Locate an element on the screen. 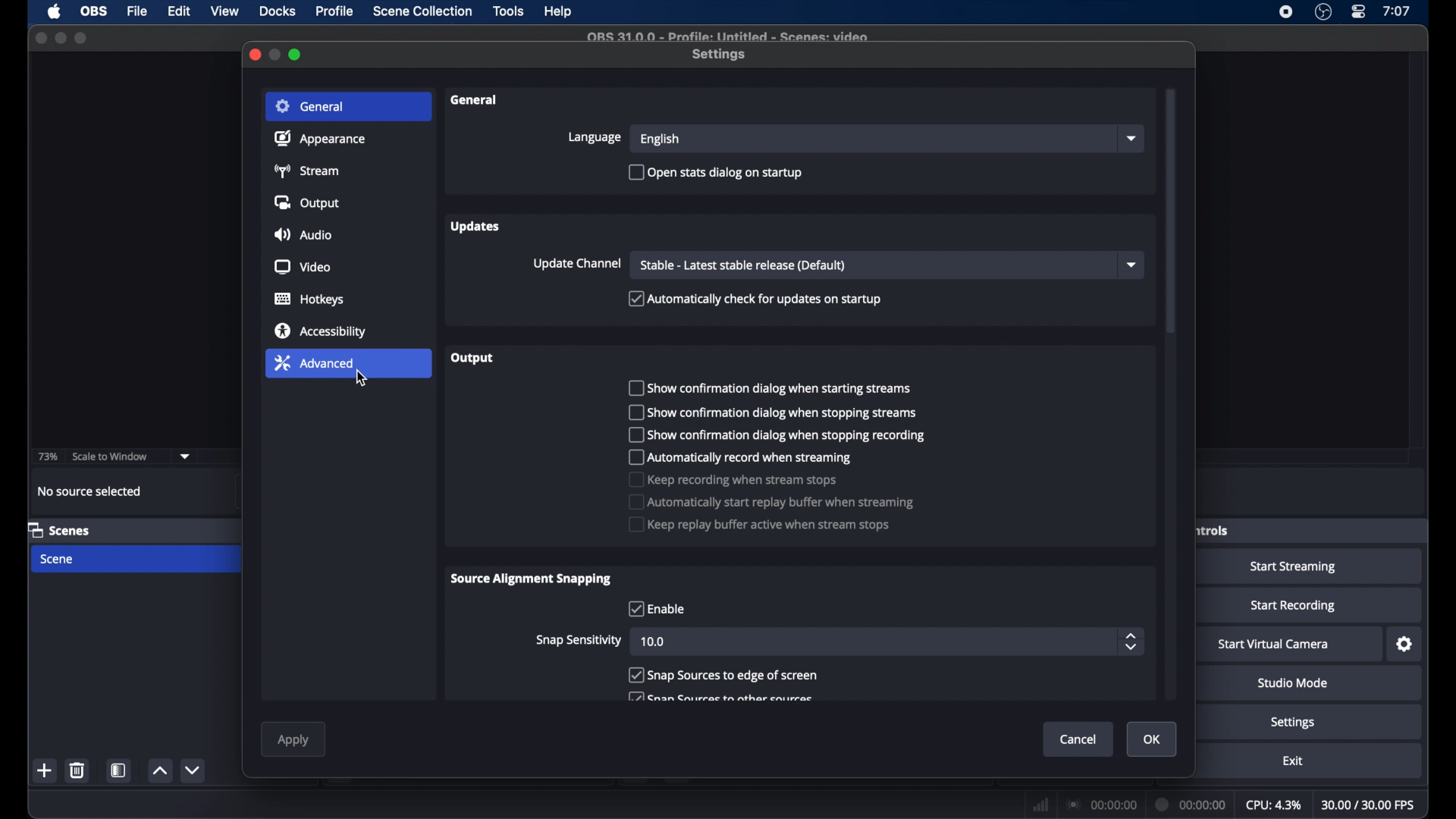 The height and width of the screenshot is (819, 1456). checkbox is located at coordinates (718, 171).